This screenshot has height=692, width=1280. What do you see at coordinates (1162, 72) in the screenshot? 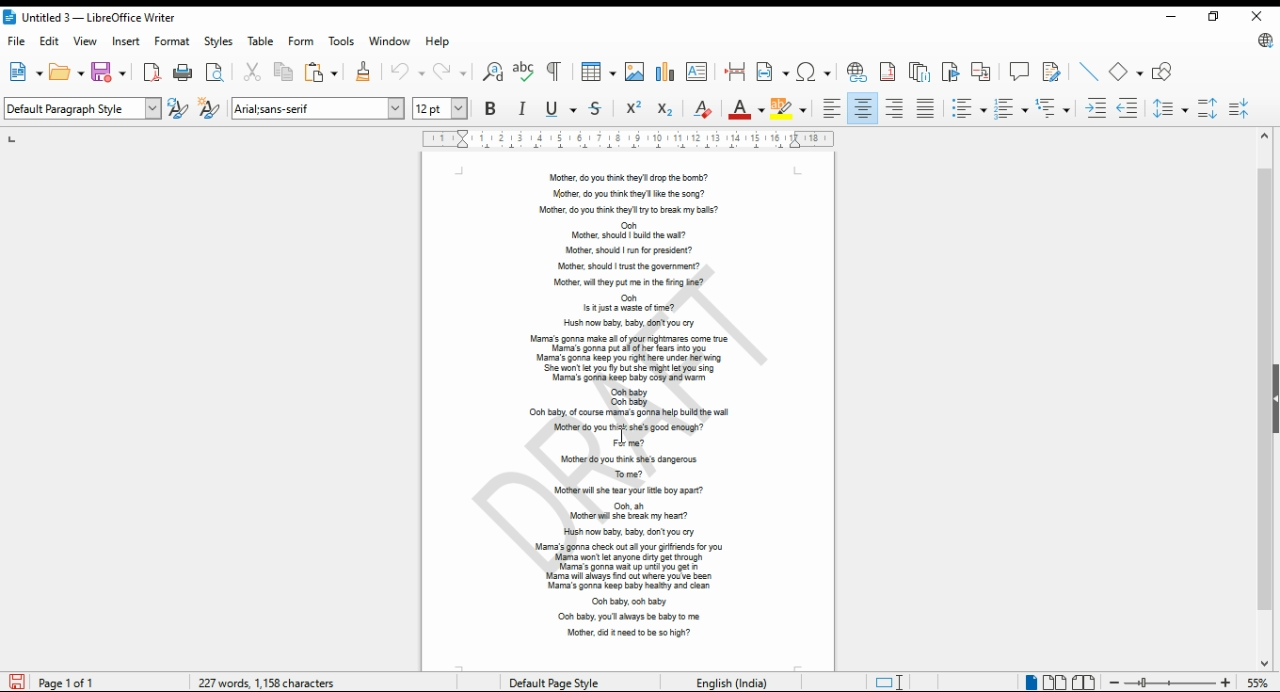
I see `show draw functions` at bounding box center [1162, 72].